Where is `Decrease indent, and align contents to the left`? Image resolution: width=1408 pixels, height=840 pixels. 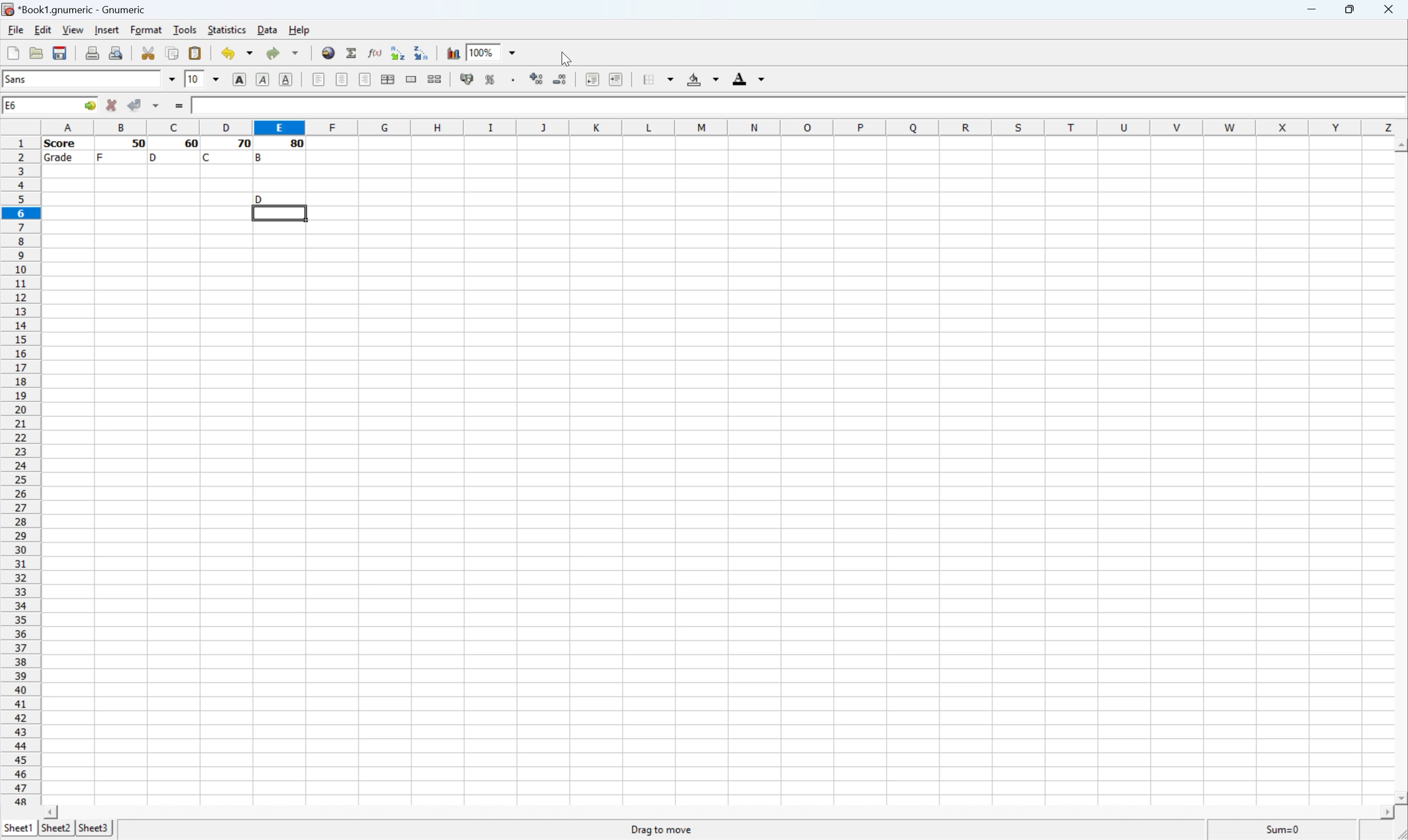 Decrease indent, and align contents to the left is located at coordinates (589, 80).